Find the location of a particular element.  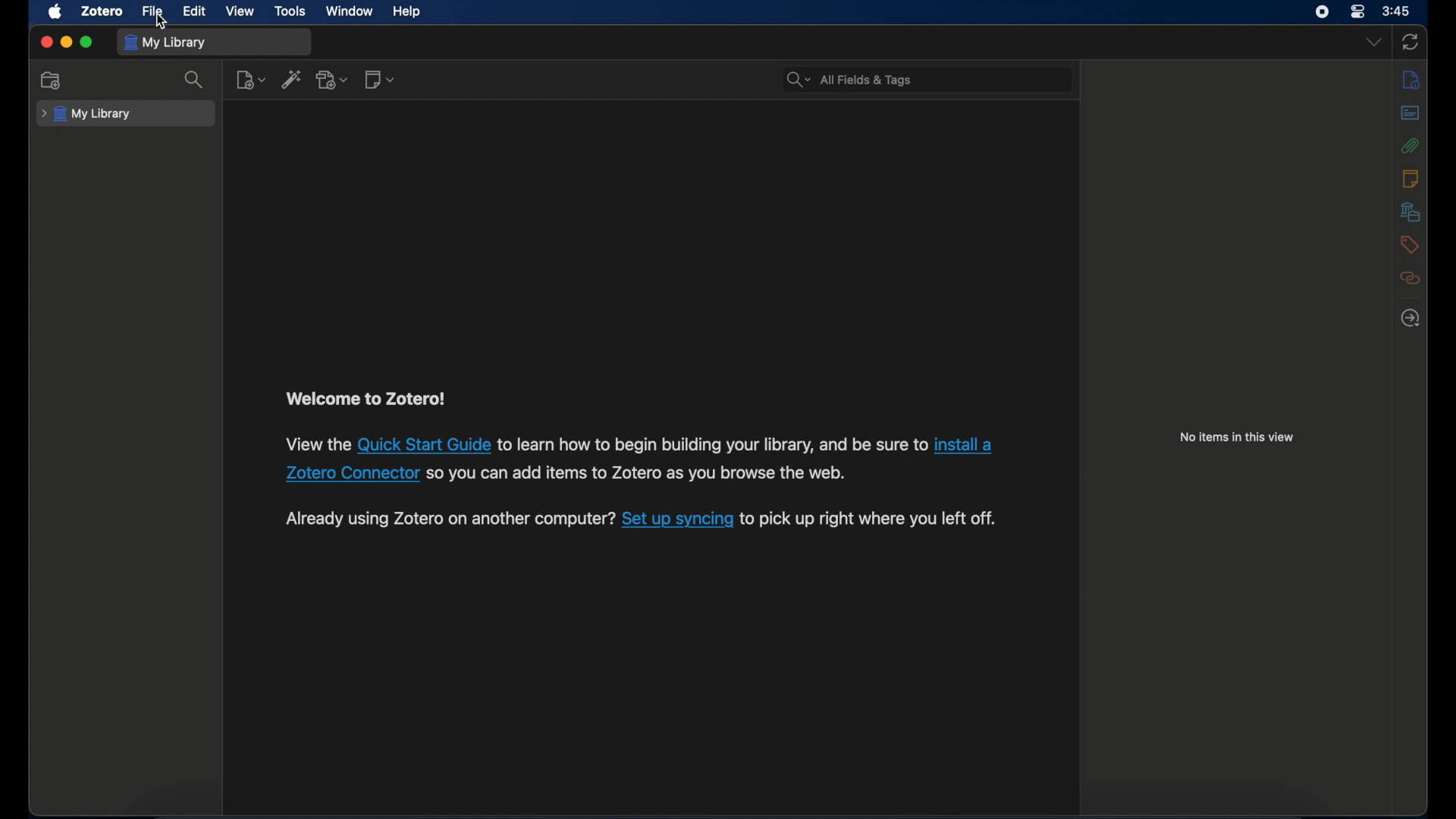

apple is located at coordinates (56, 12).